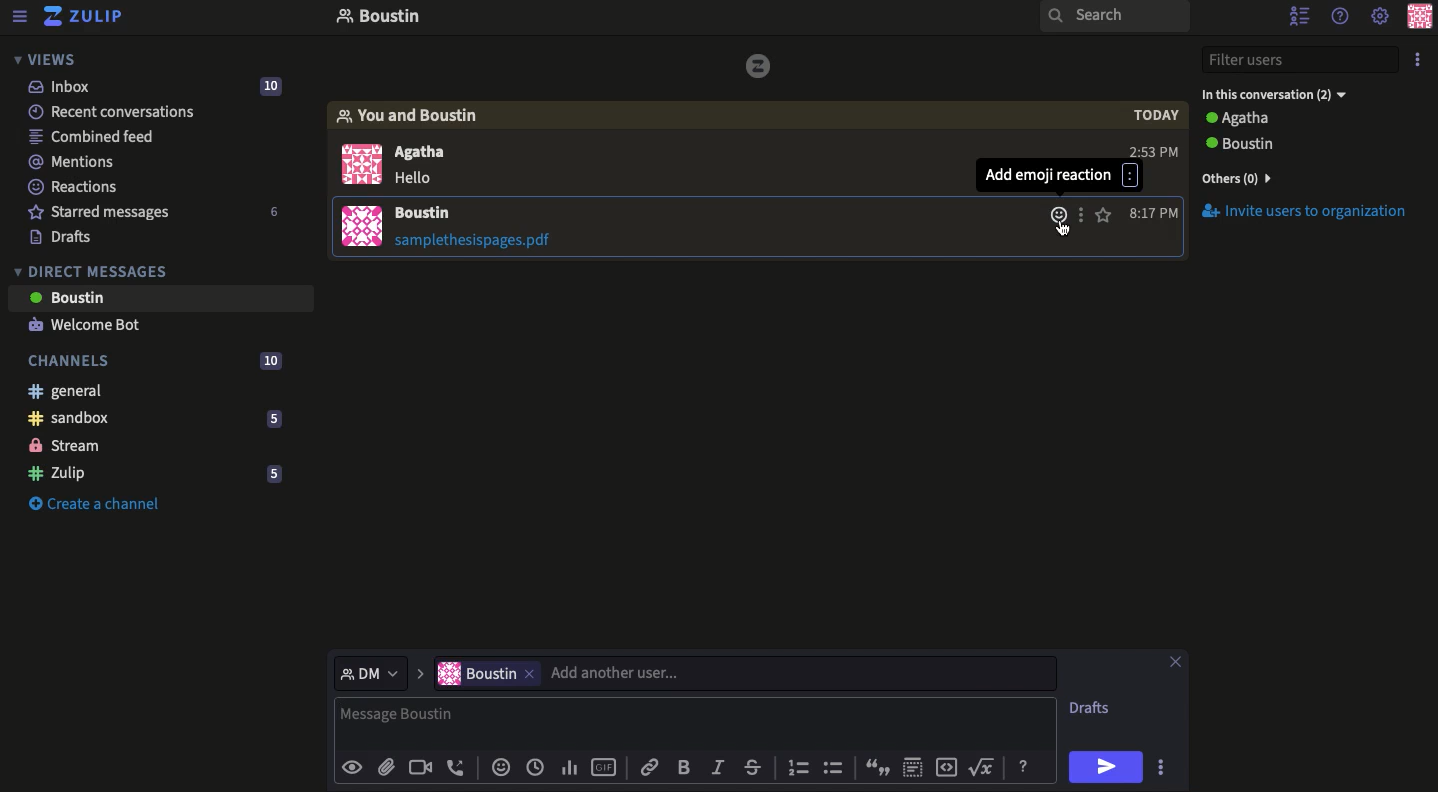 The width and height of the screenshot is (1438, 792). I want to click on Close, so click(1174, 659).